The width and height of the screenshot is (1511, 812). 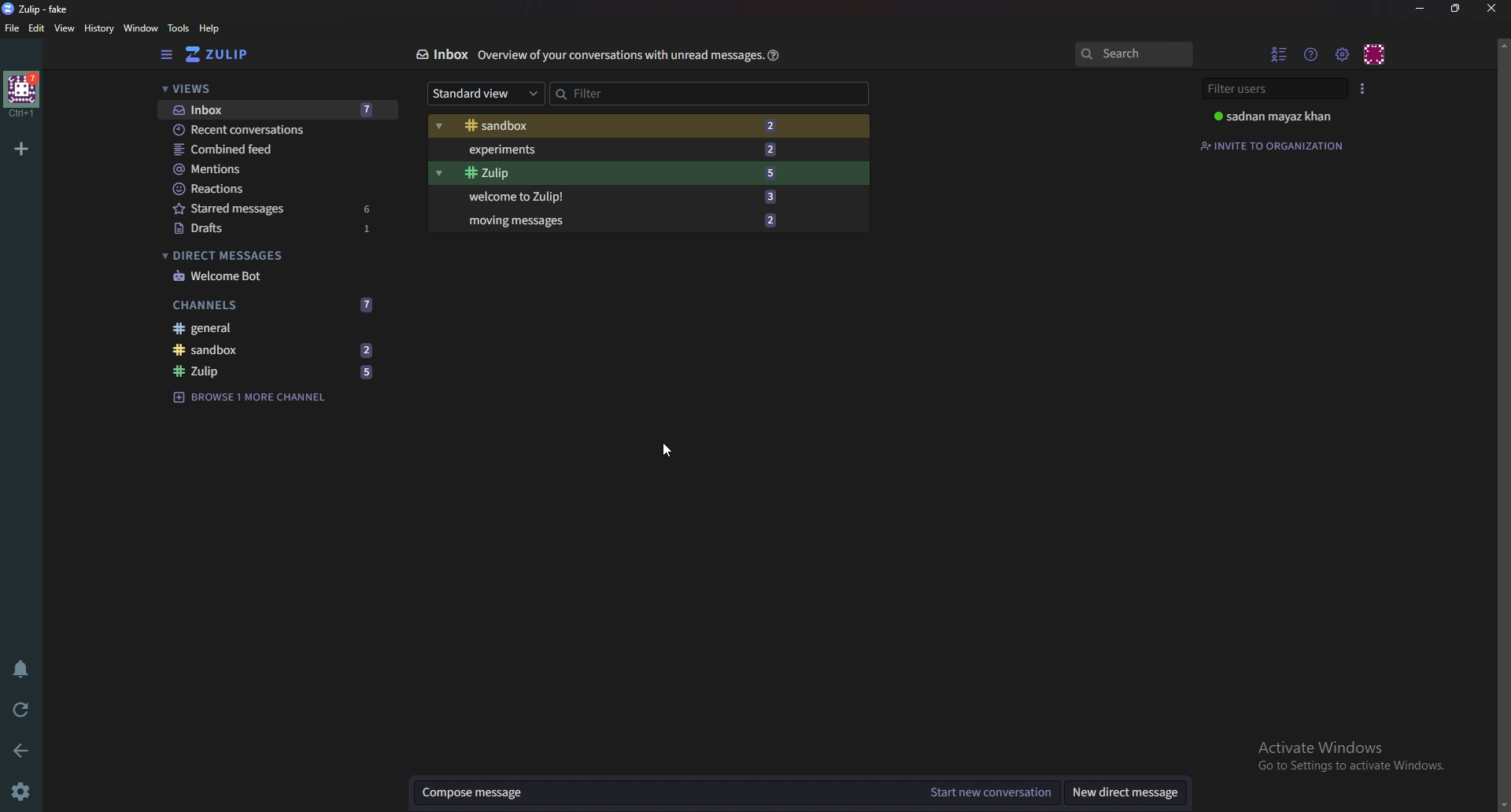 What do you see at coordinates (1313, 54) in the screenshot?
I see `Help menu` at bounding box center [1313, 54].